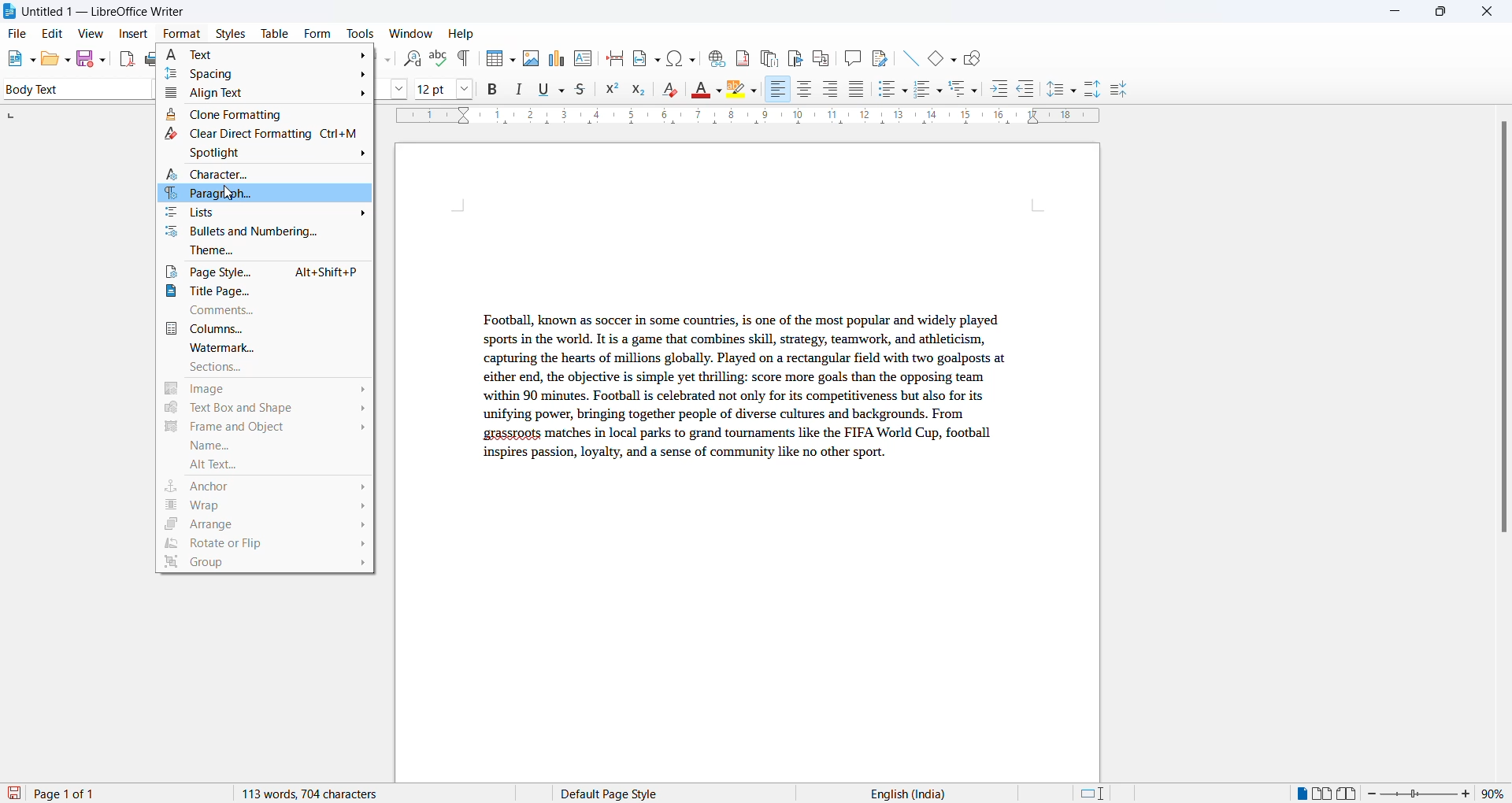 The height and width of the screenshot is (803, 1512). I want to click on character, so click(268, 175).